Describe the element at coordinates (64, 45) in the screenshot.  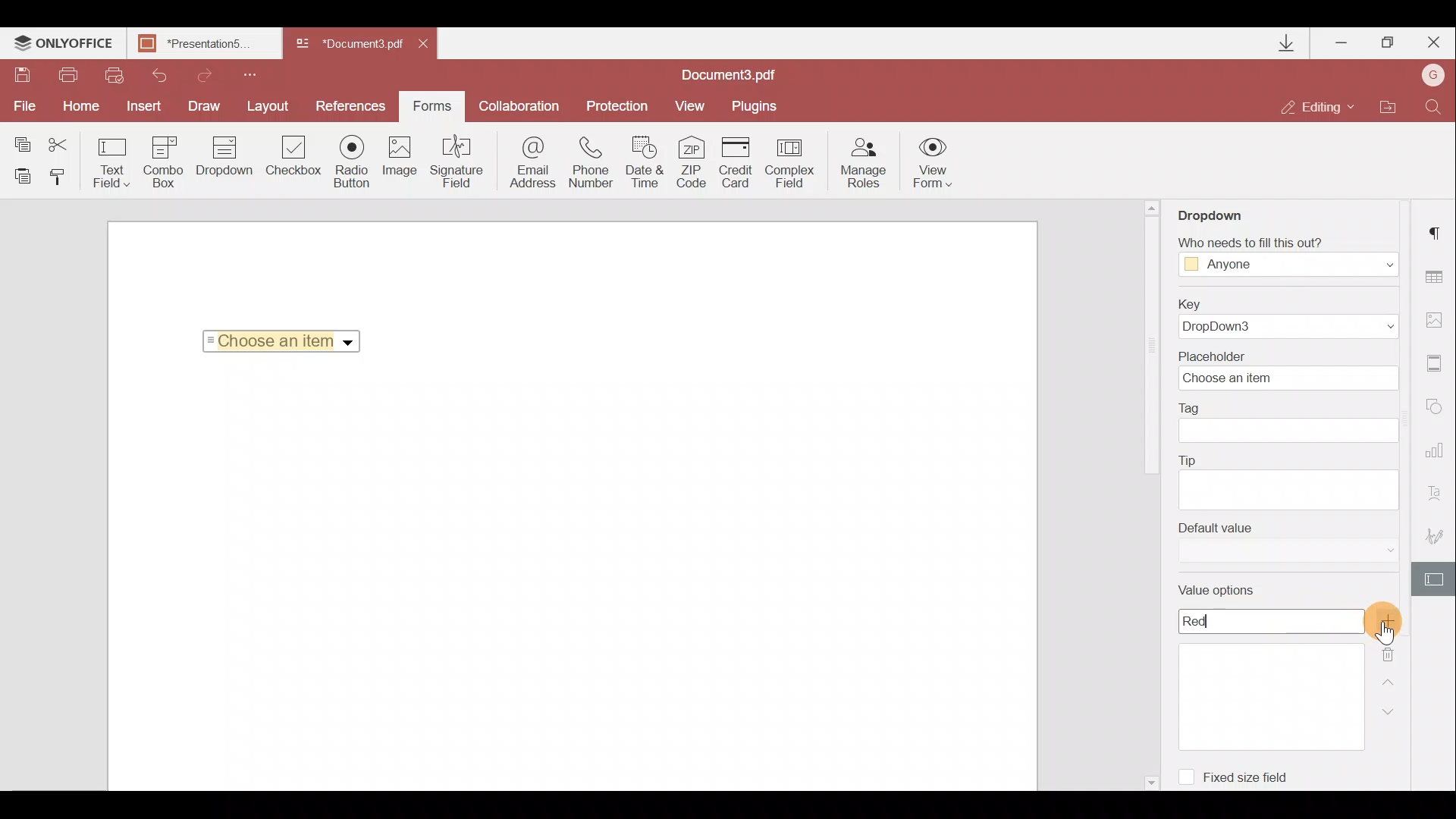
I see `ONLYOFFICE` at that location.